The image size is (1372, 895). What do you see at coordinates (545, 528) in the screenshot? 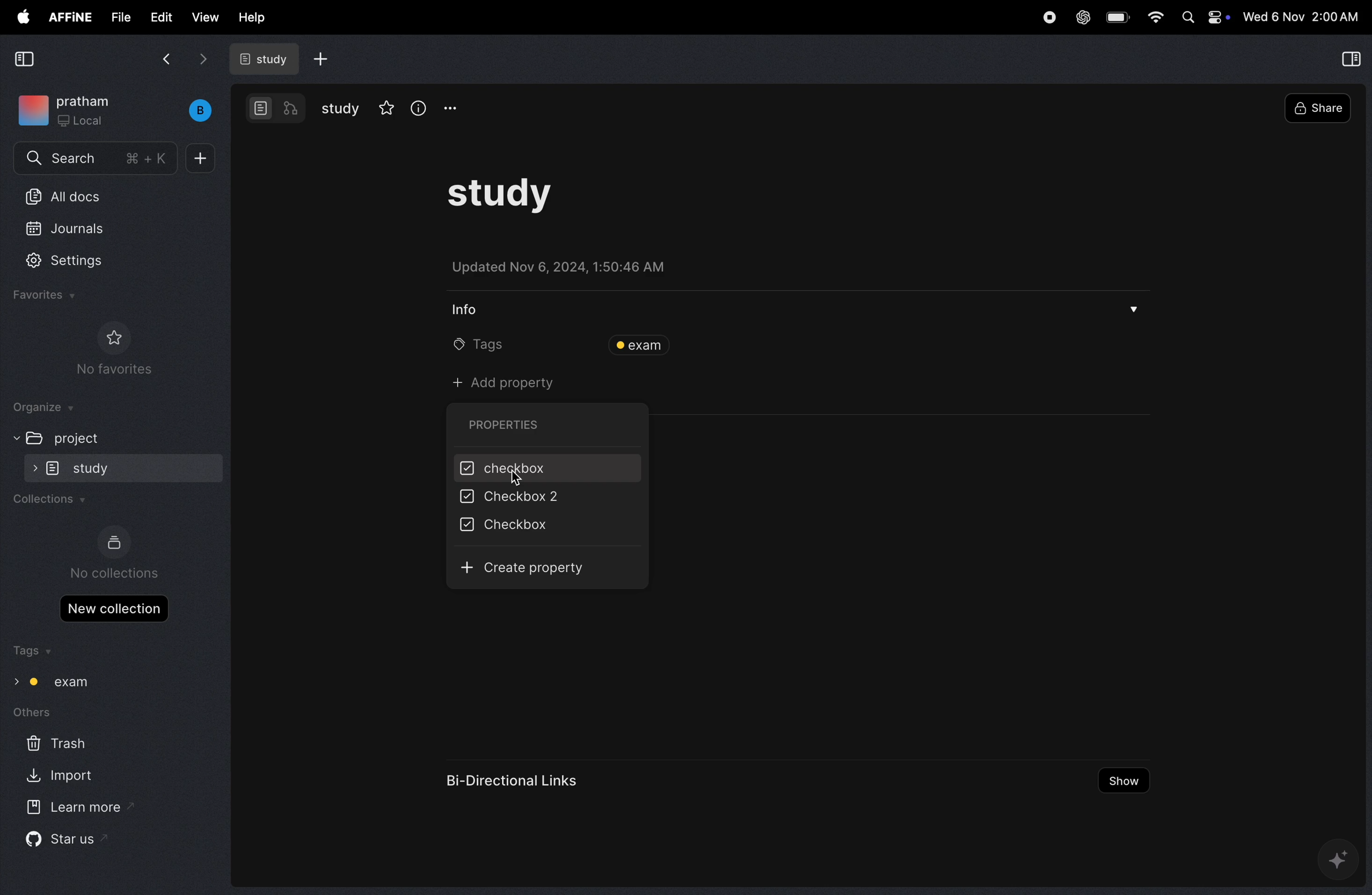
I see `checkbox 2` at bounding box center [545, 528].